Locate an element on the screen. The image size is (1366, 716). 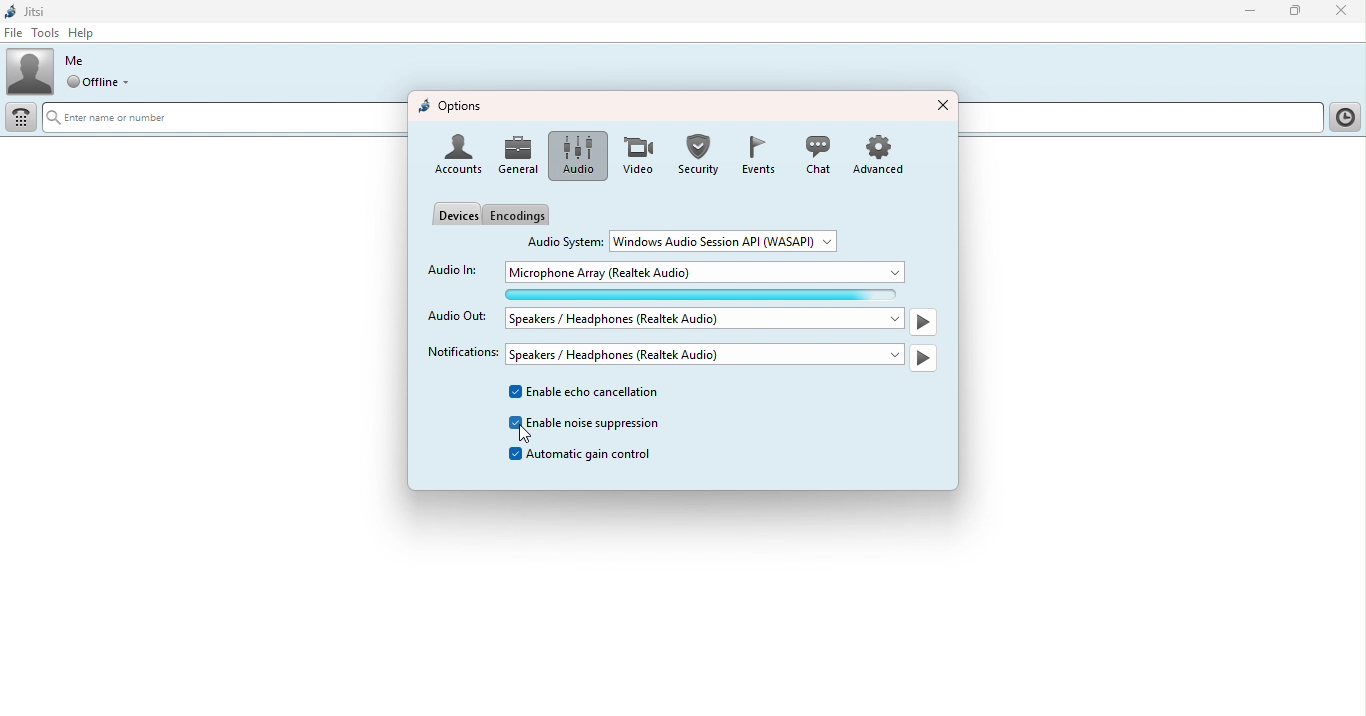
Enable echo cancellation is located at coordinates (591, 394).